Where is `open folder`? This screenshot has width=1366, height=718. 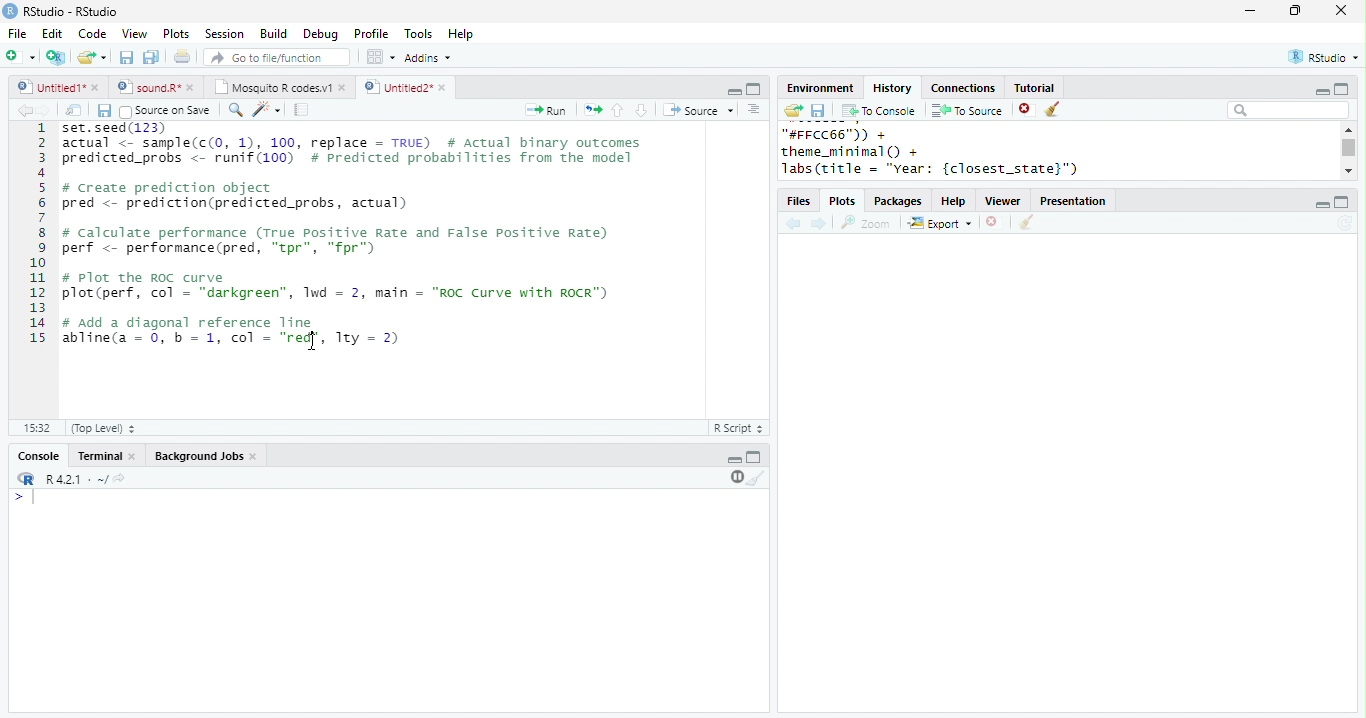 open folder is located at coordinates (792, 110).